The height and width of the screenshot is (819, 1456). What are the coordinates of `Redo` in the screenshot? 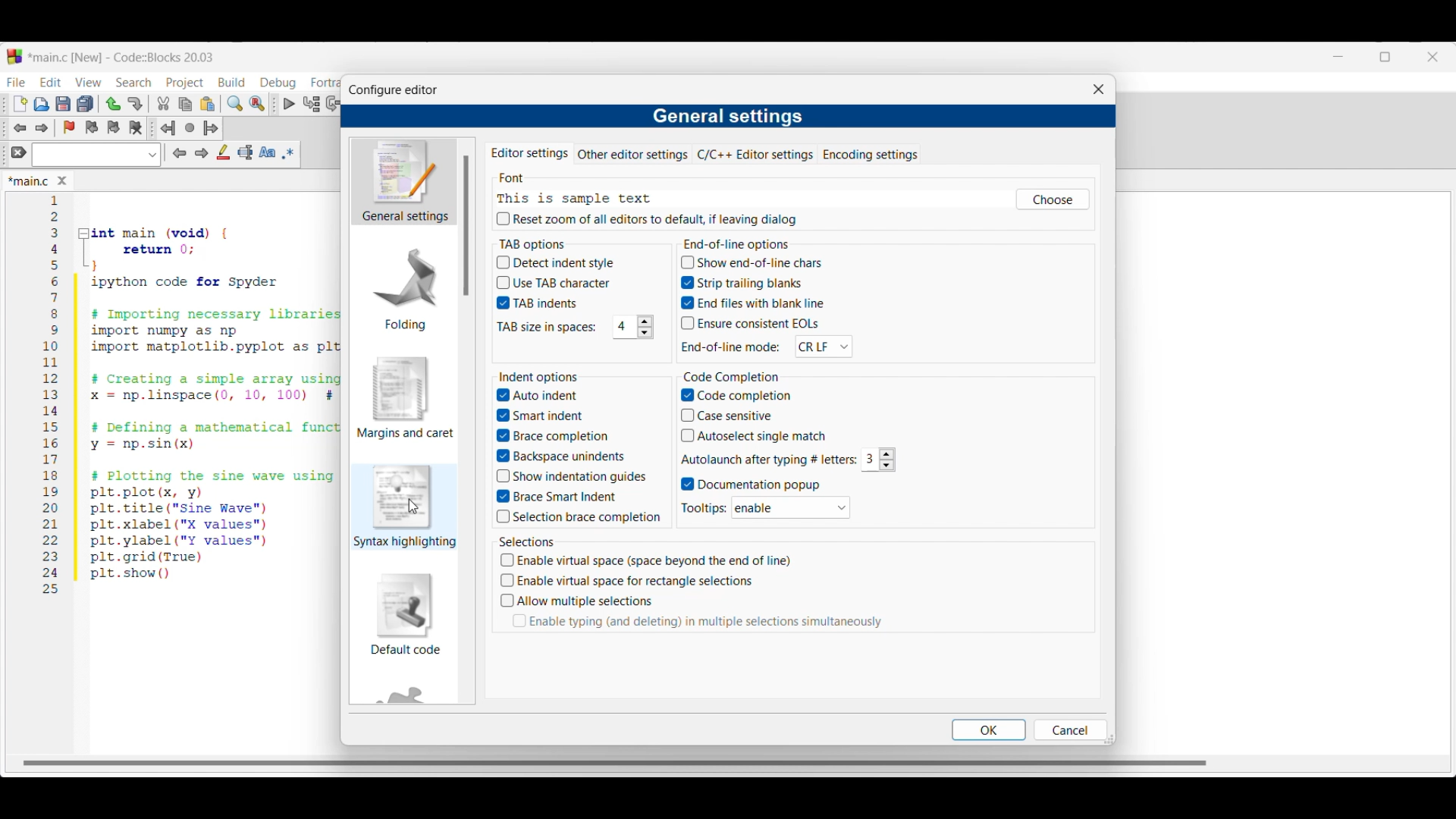 It's located at (135, 104).